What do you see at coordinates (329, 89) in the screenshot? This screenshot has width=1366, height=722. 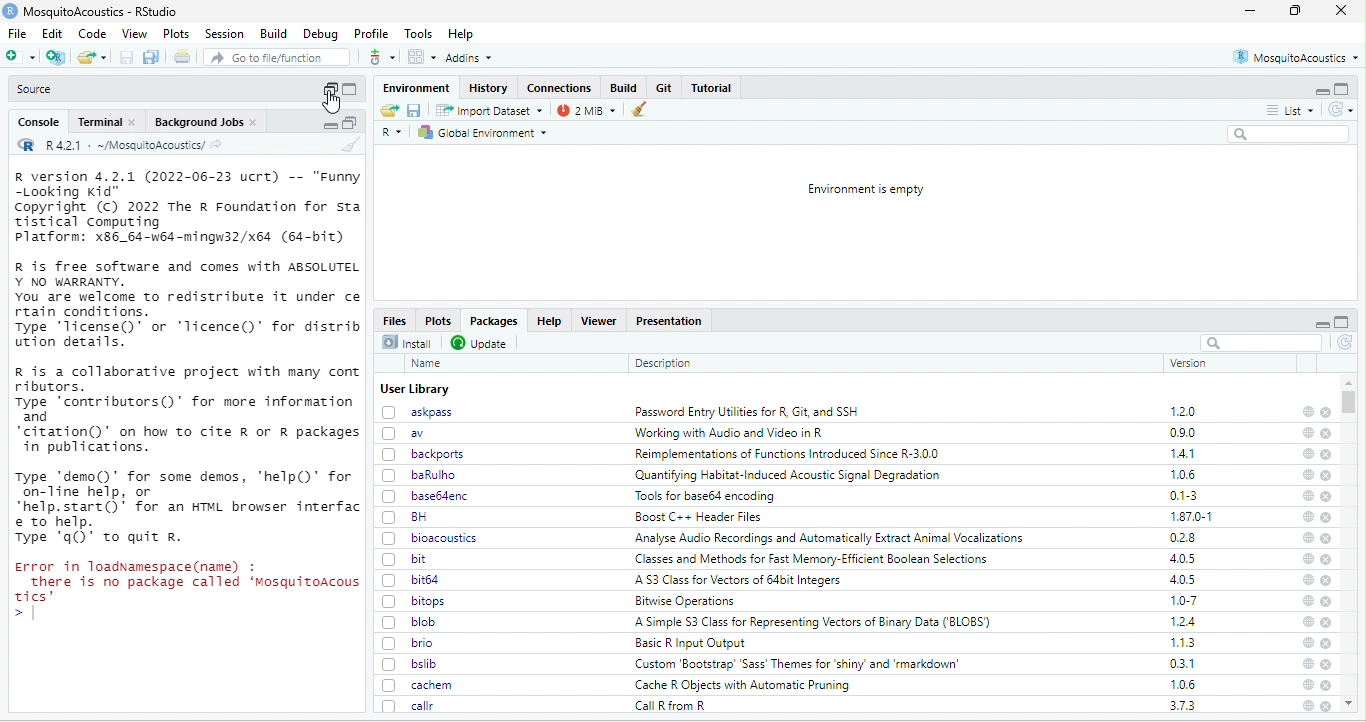 I see `maximize` at bounding box center [329, 89].